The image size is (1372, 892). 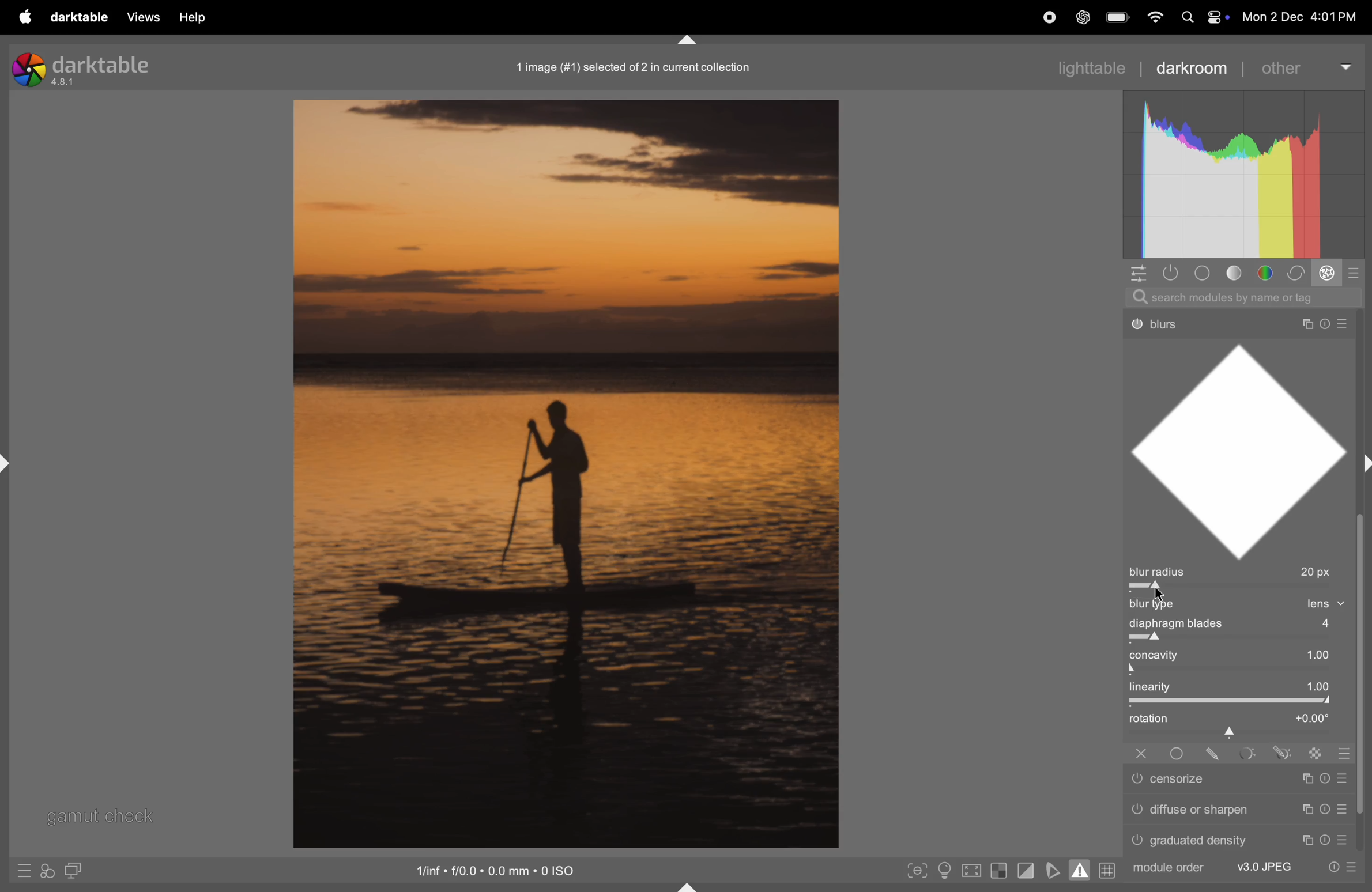 I want to click on darktable version, so click(x=80, y=68).